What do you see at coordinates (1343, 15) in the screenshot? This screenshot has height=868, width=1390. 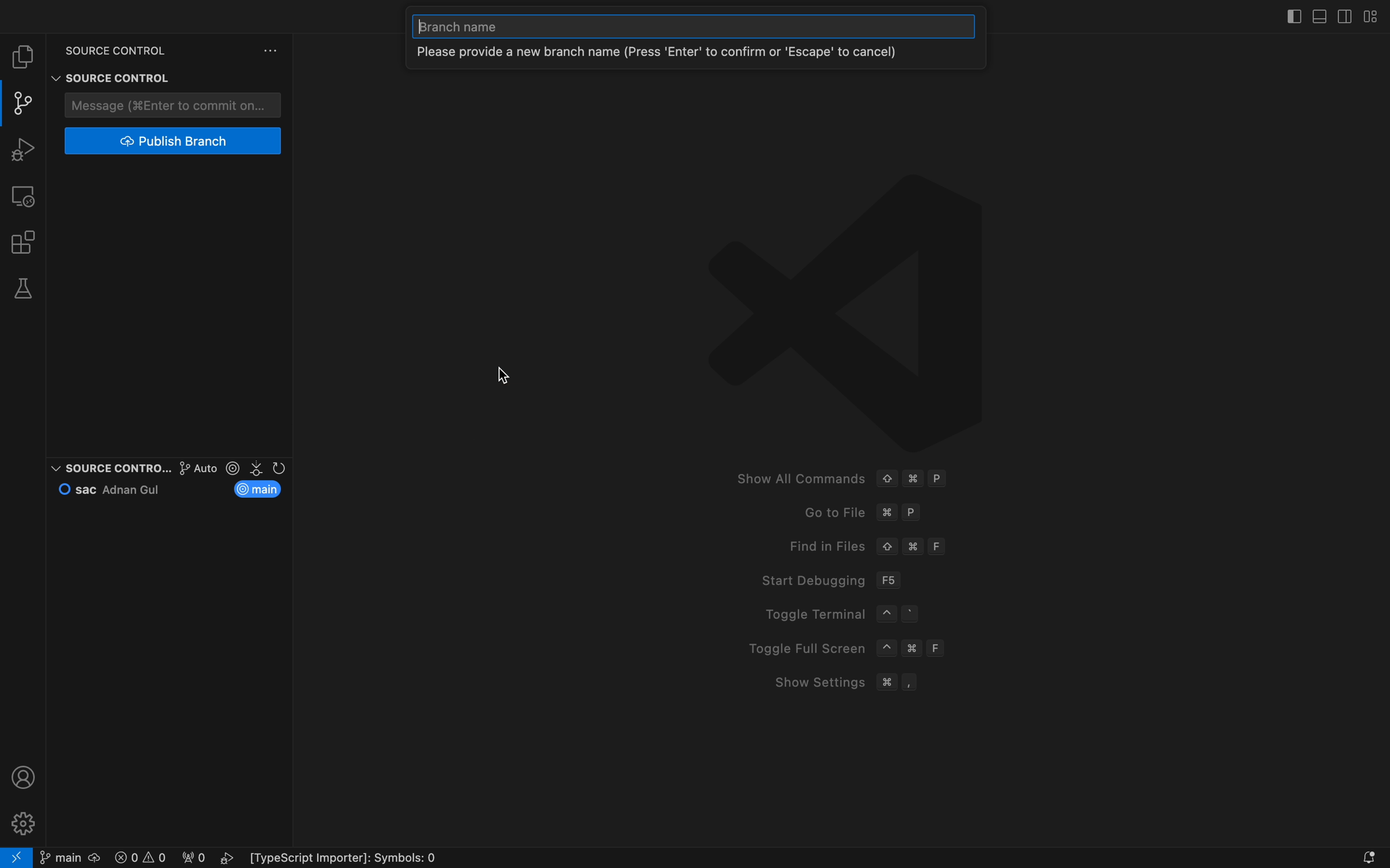 I see `toggle secondary bar` at bounding box center [1343, 15].